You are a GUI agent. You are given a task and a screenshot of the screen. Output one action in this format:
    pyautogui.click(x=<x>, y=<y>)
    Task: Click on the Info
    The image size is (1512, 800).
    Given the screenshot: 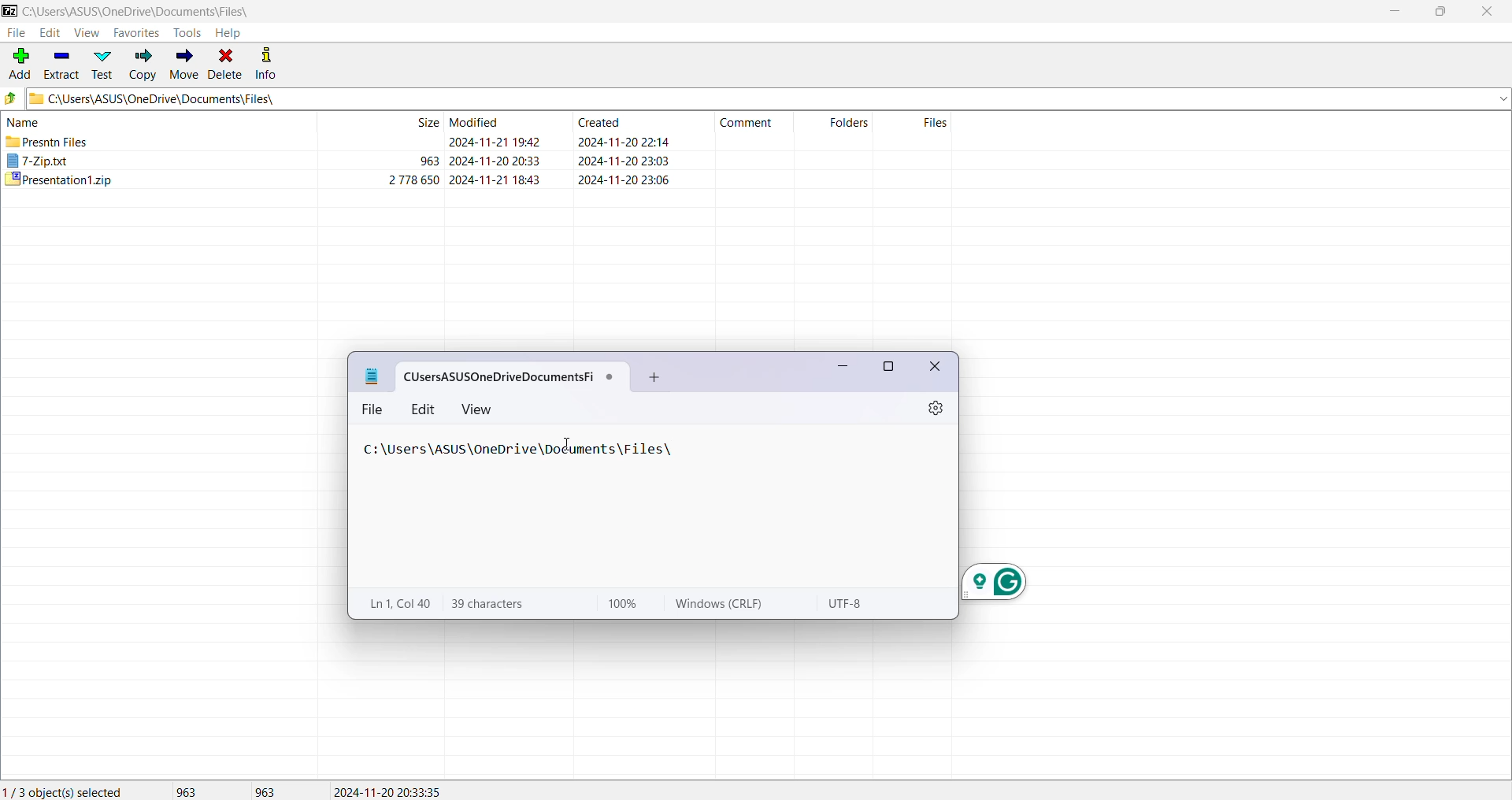 What is the action you would take?
    pyautogui.click(x=272, y=64)
    